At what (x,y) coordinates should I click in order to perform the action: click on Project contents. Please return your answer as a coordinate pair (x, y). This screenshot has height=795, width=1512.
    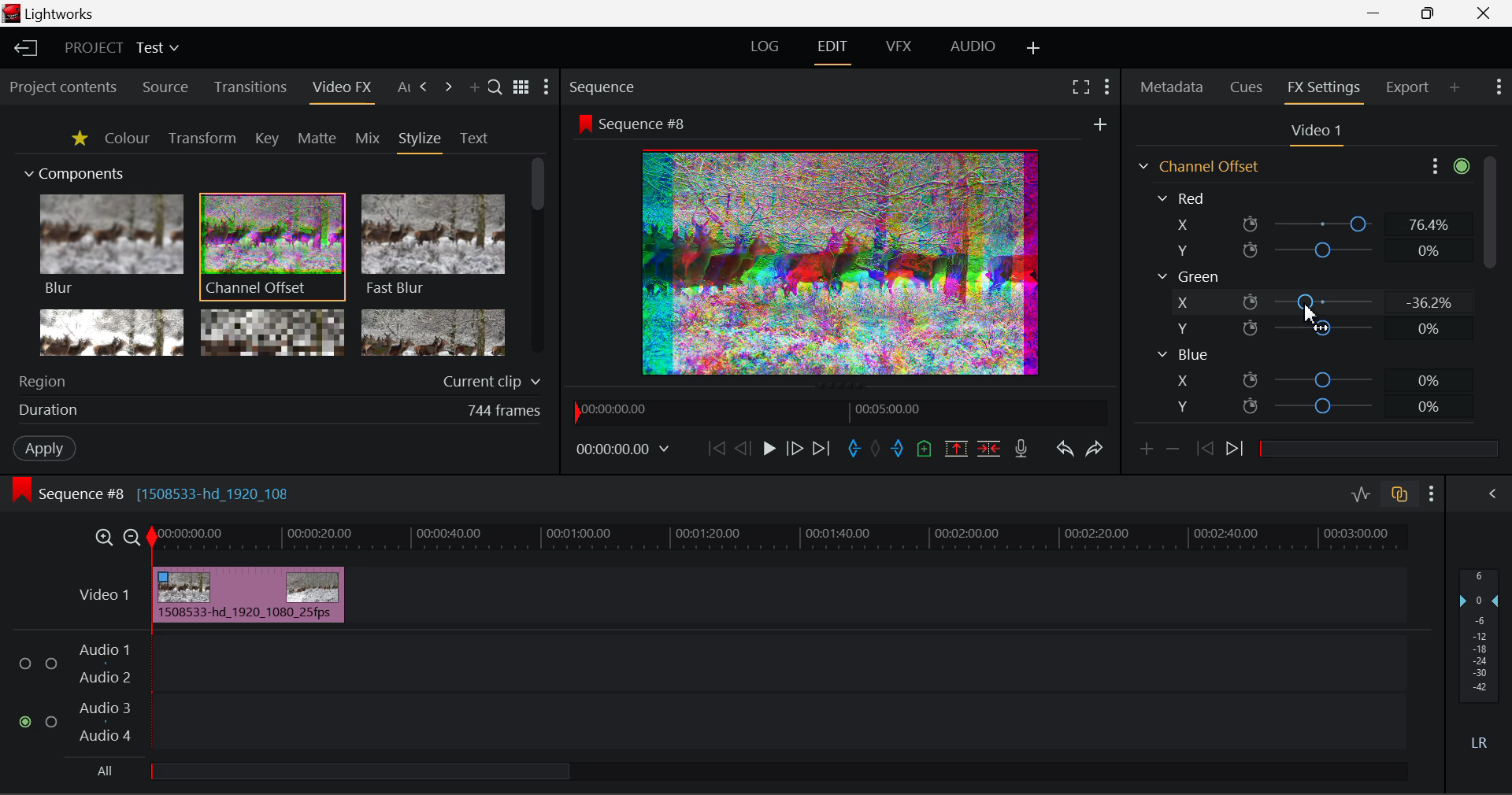
    Looking at the image, I should click on (62, 88).